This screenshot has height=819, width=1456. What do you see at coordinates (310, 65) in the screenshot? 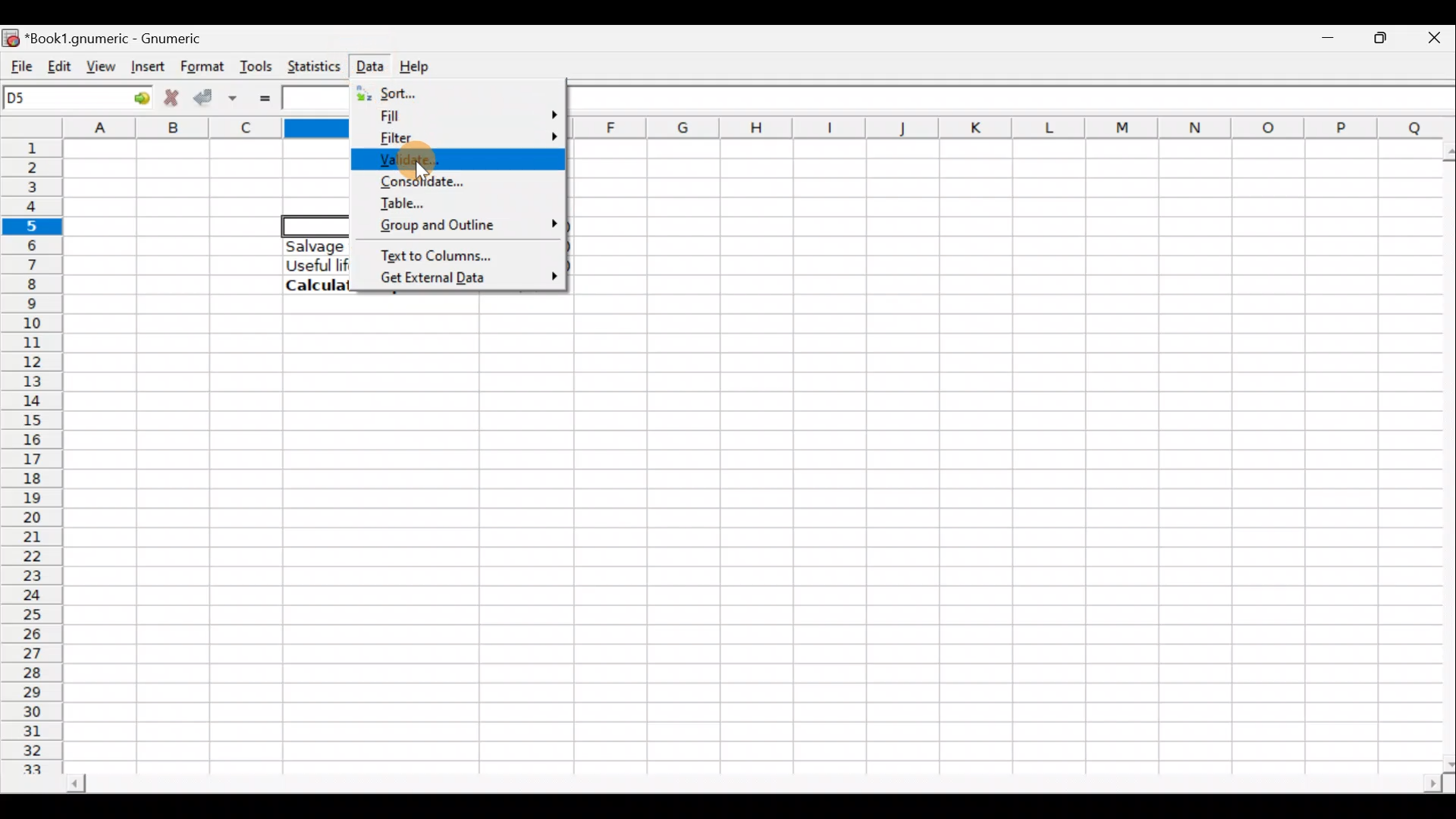
I see `Statistics` at bounding box center [310, 65].